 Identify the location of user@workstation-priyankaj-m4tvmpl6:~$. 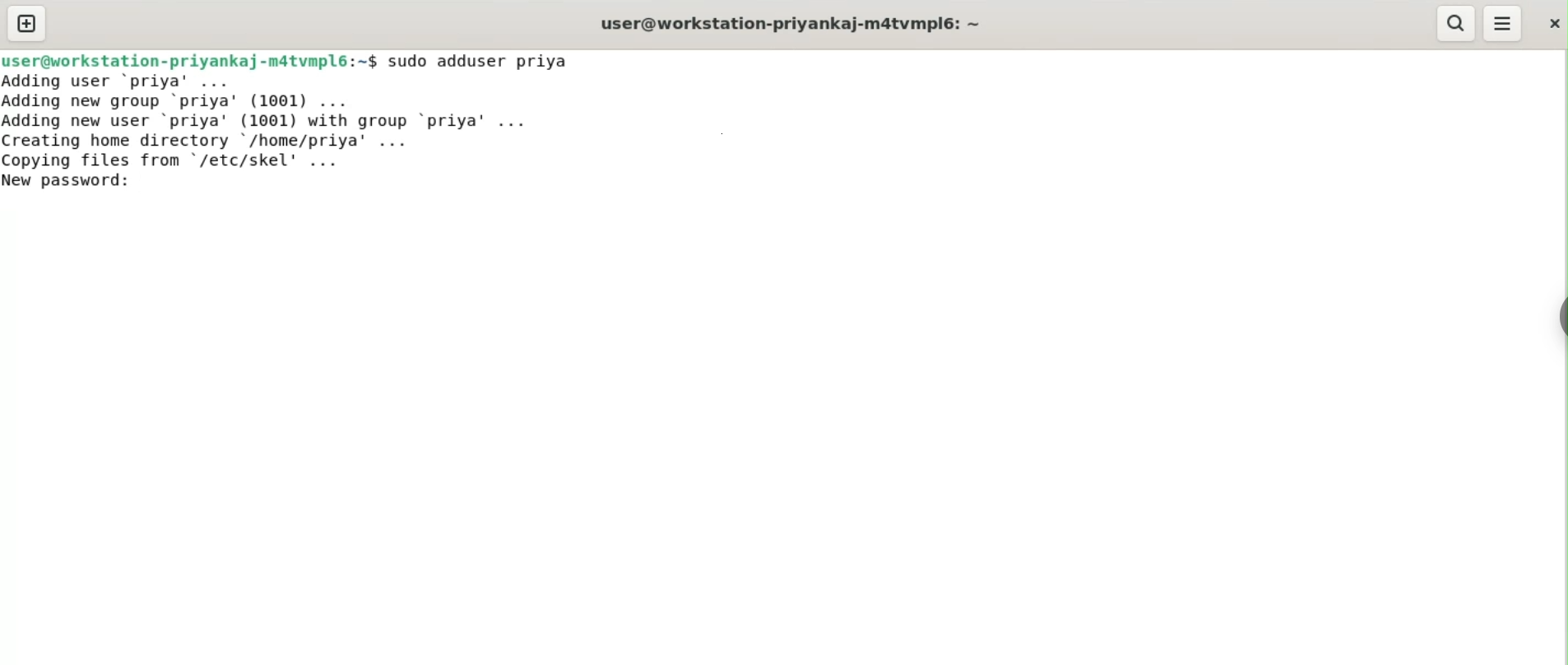
(189, 58).